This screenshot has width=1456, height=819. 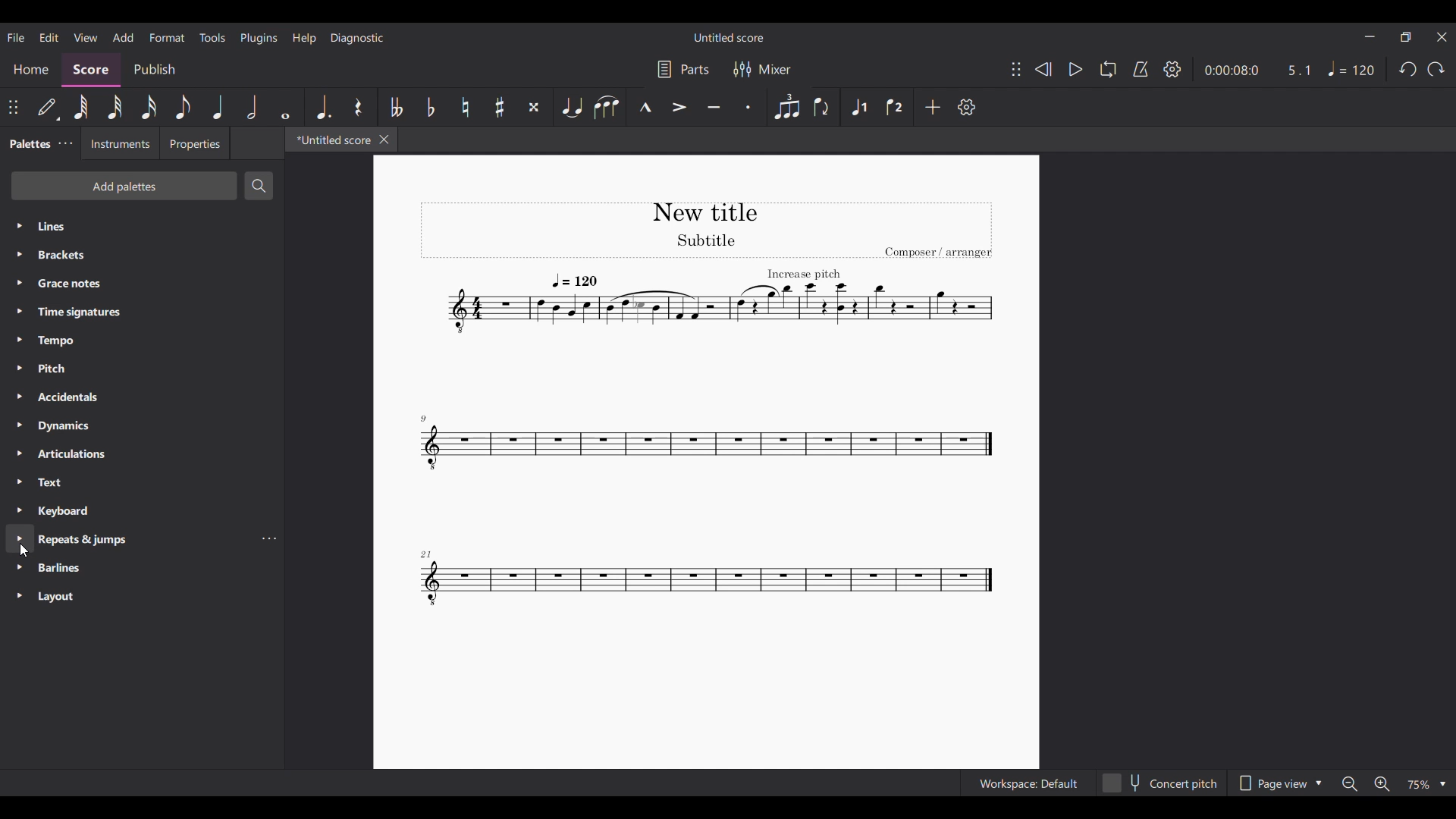 I want to click on Parts settings, so click(x=684, y=69).